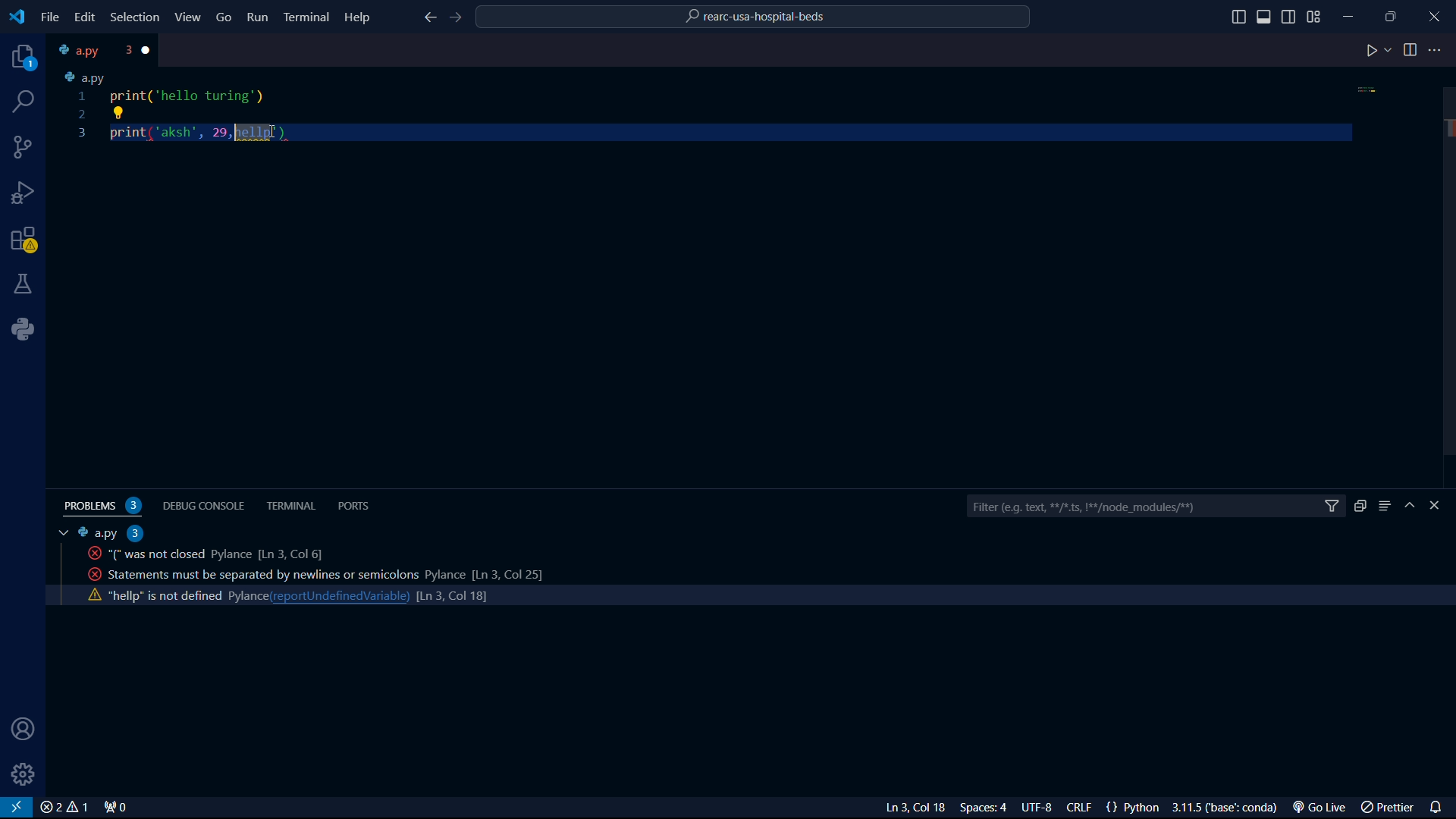 Image resolution: width=1456 pixels, height=819 pixels. What do you see at coordinates (1442, 506) in the screenshot?
I see `close bar` at bounding box center [1442, 506].